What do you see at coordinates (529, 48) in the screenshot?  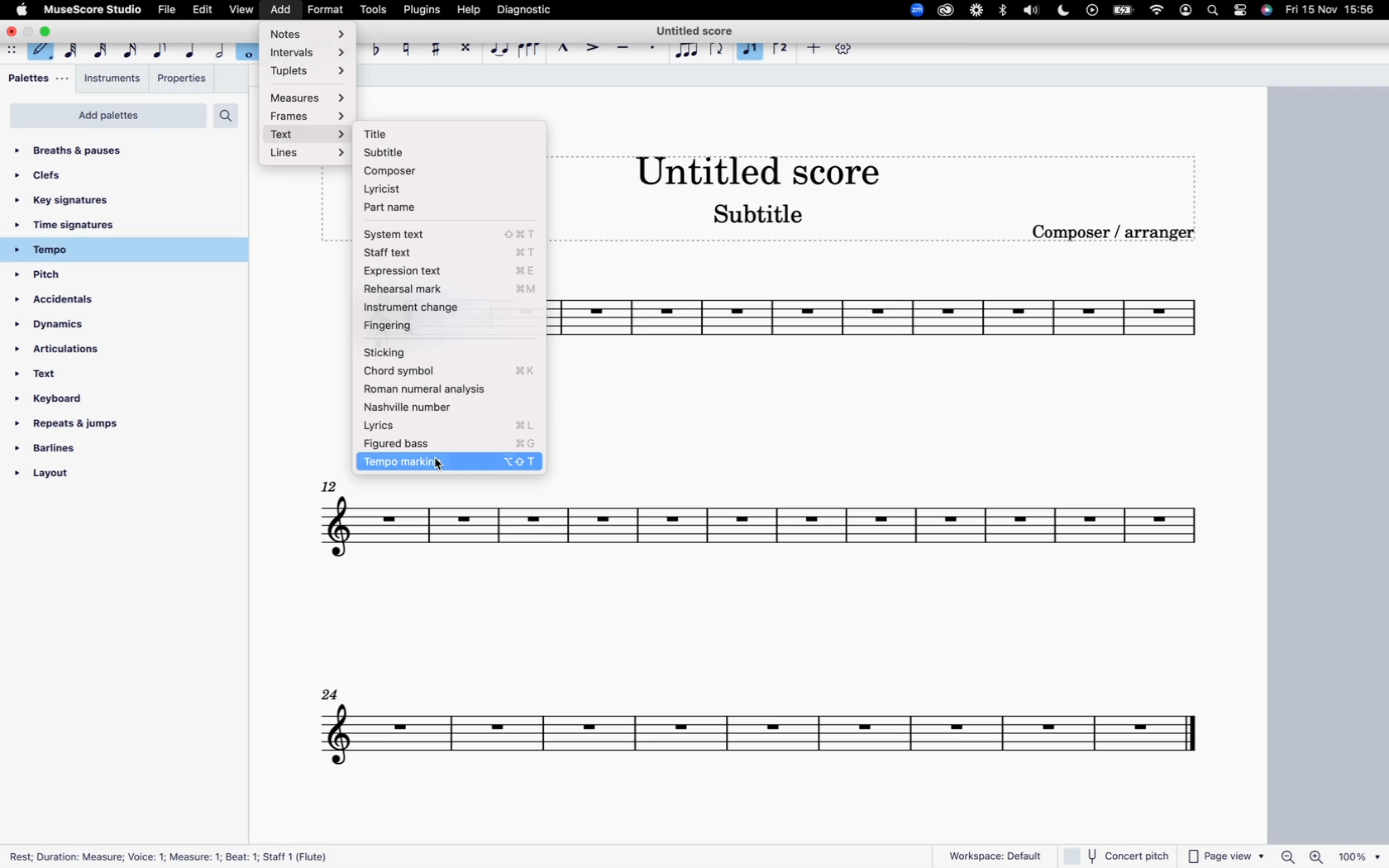 I see `slur` at bounding box center [529, 48].